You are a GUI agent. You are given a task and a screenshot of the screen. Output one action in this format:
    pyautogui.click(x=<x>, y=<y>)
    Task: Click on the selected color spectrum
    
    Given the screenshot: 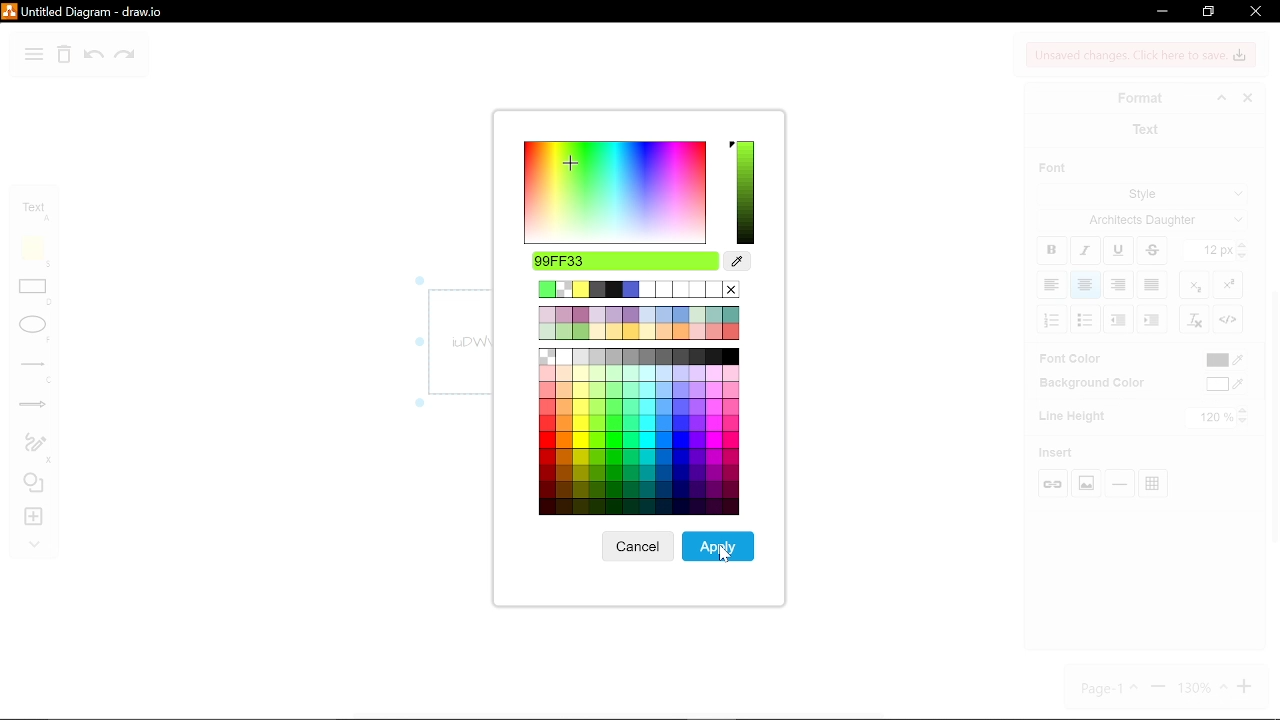 What is the action you would take?
    pyautogui.click(x=746, y=190)
    